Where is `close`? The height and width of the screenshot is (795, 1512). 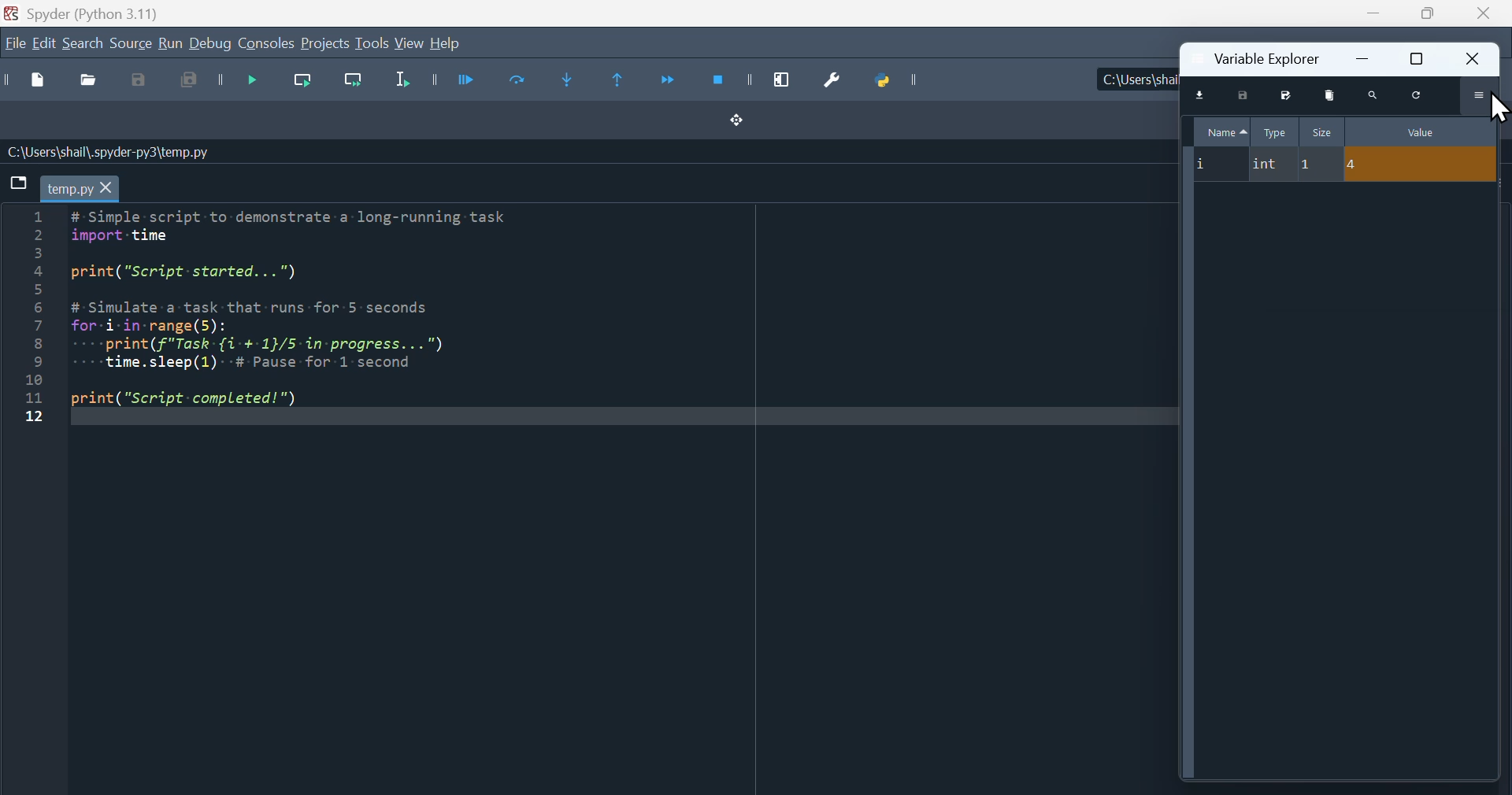
close is located at coordinates (1475, 58).